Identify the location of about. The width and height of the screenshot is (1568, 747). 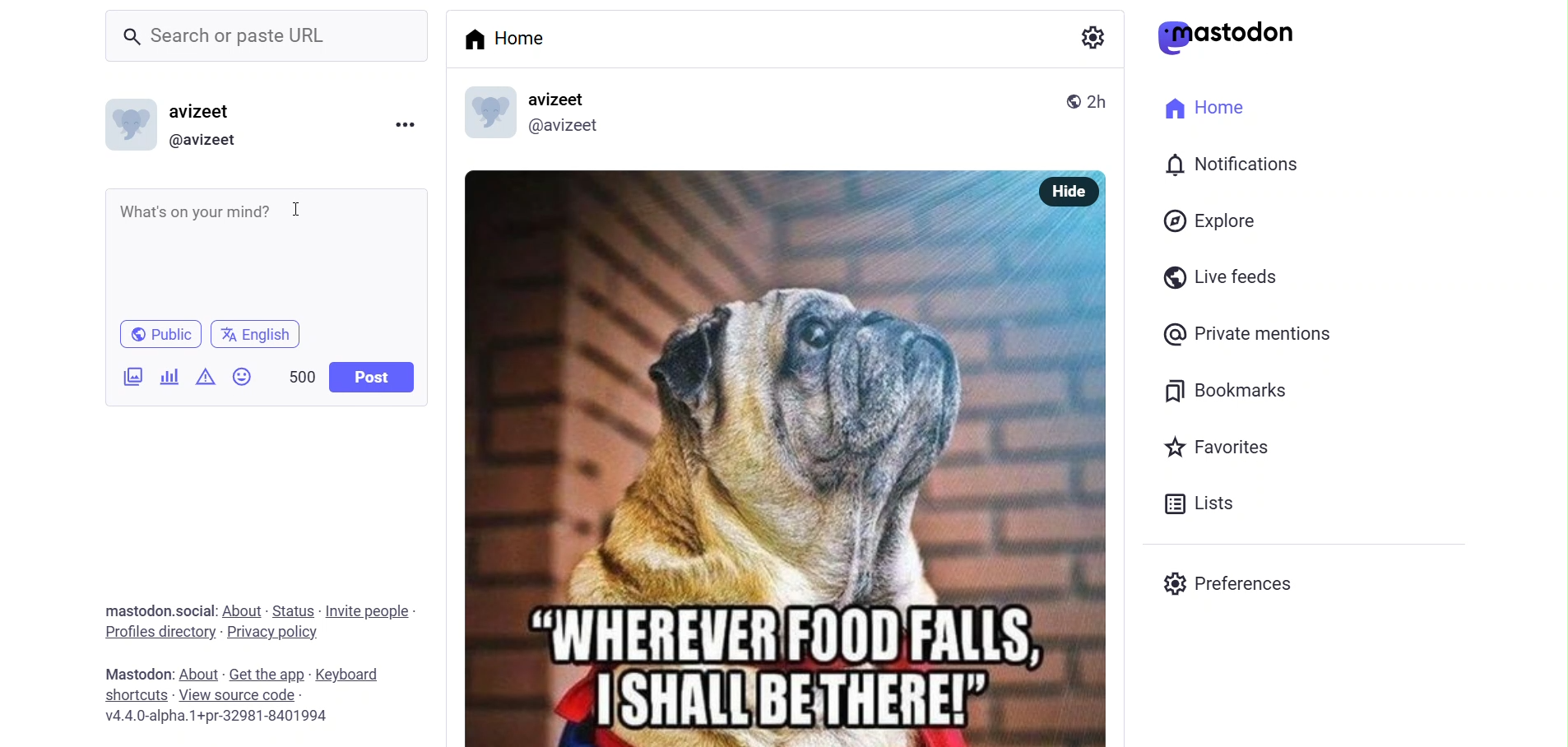
(199, 673).